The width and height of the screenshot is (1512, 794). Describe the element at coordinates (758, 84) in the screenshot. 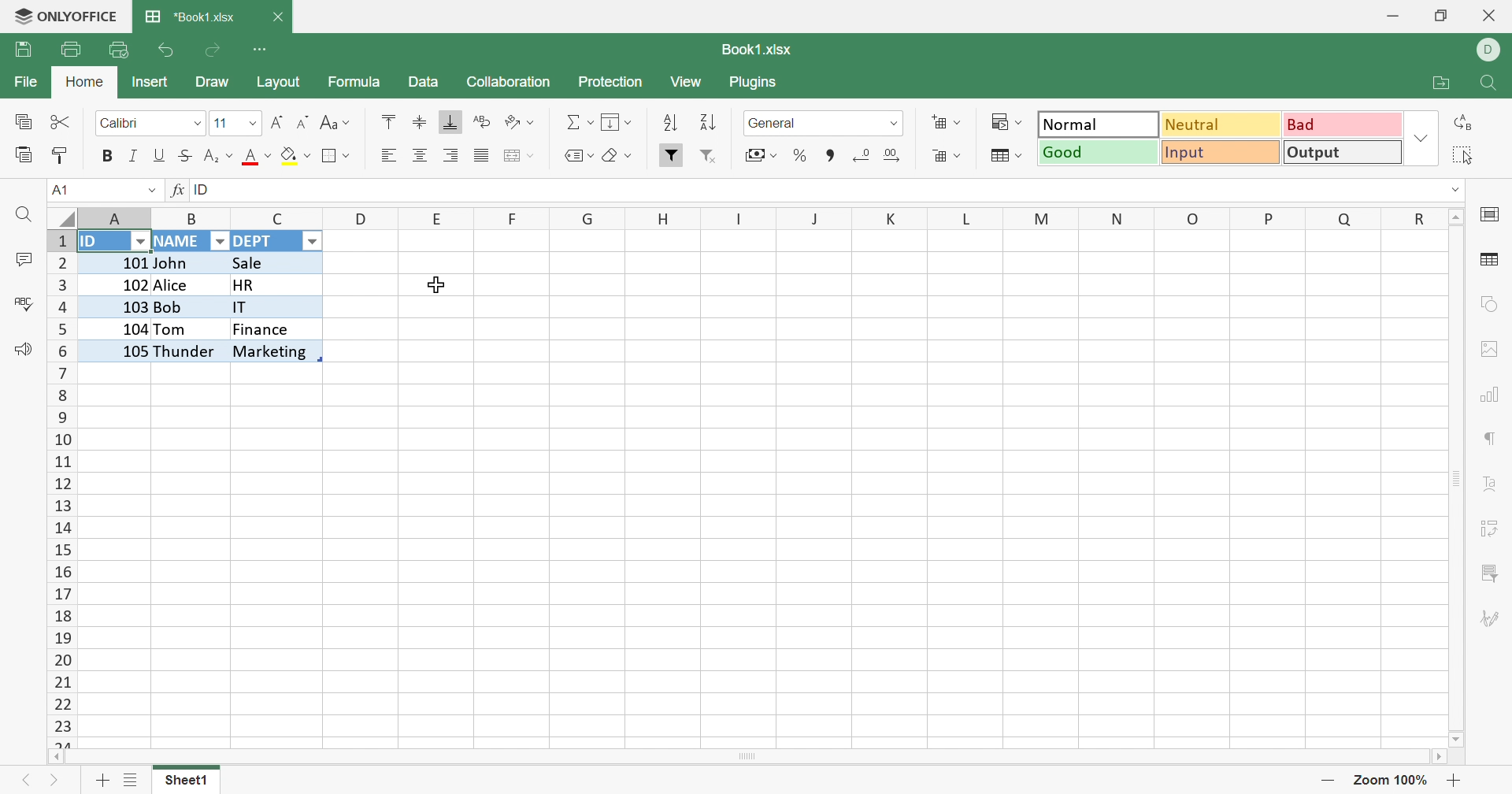

I see `Plugins` at that location.